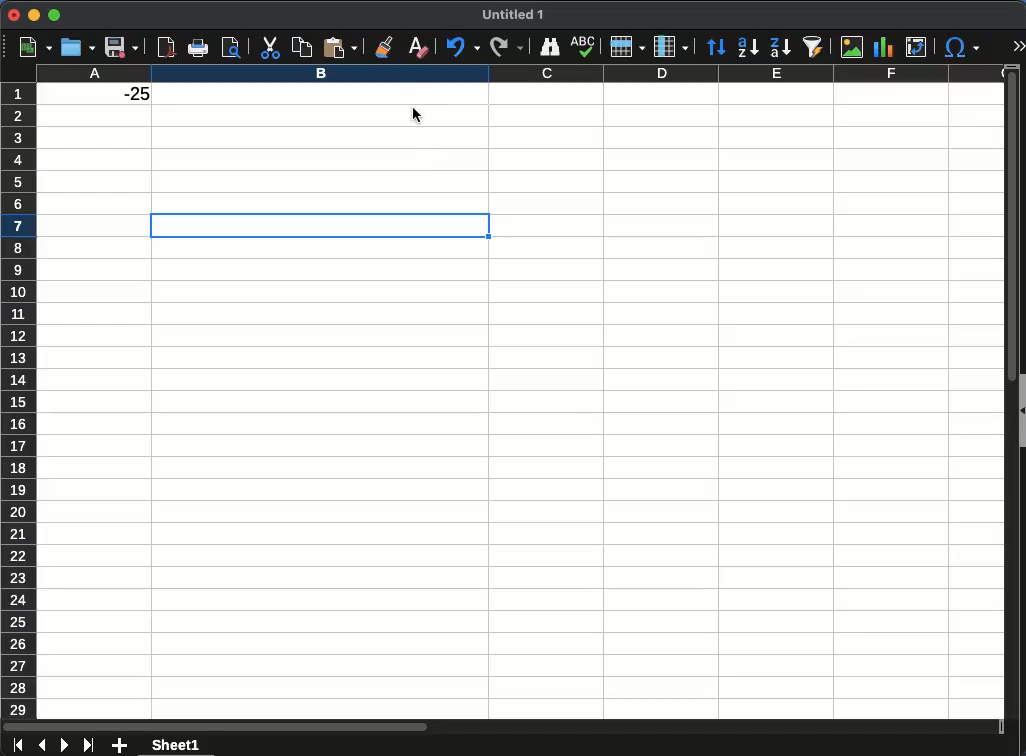 The width and height of the screenshot is (1026, 756). What do you see at coordinates (551, 47) in the screenshot?
I see `finder` at bounding box center [551, 47].